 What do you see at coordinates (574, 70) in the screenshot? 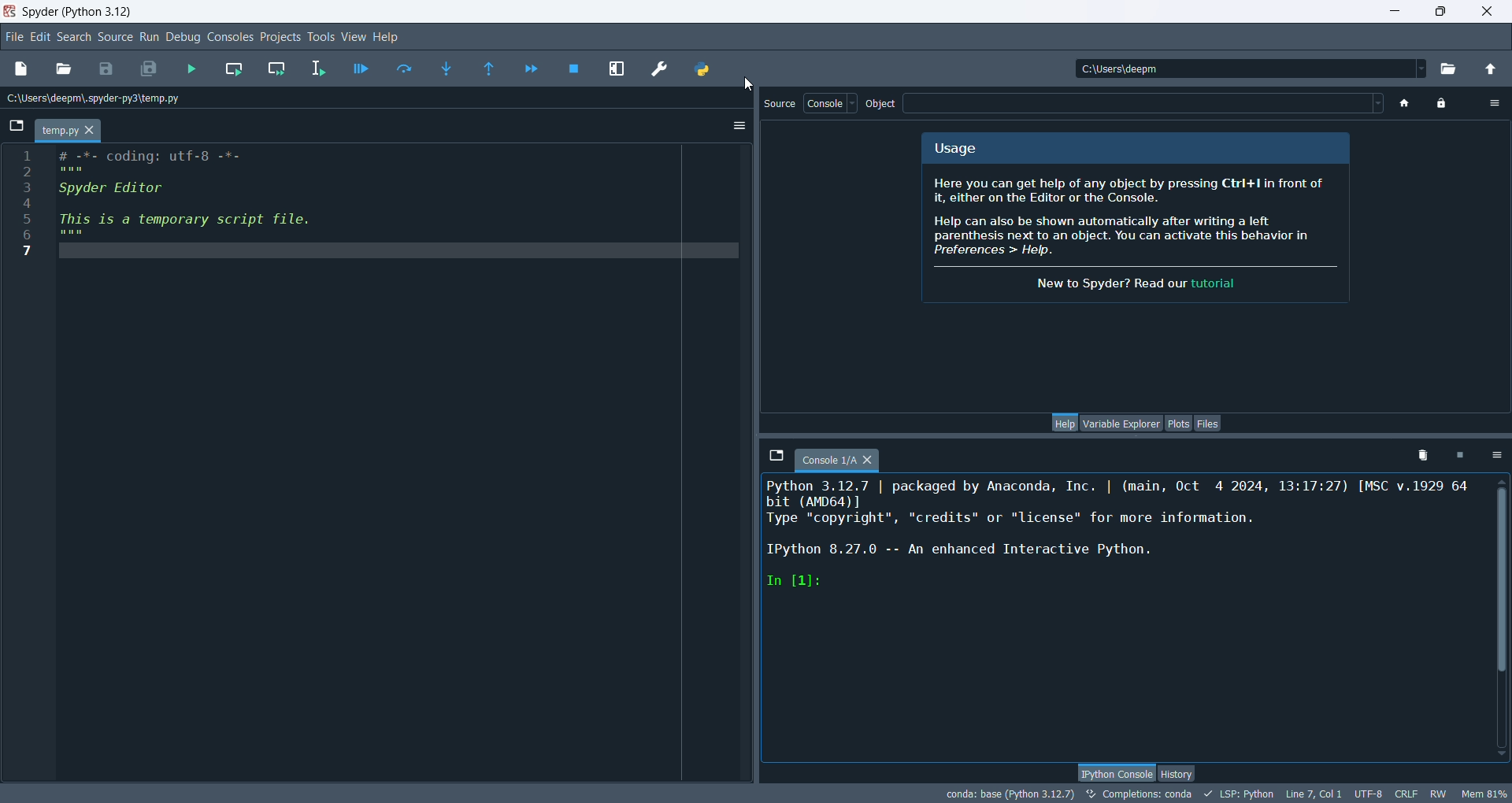
I see `stop debugging` at bounding box center [574, 70].